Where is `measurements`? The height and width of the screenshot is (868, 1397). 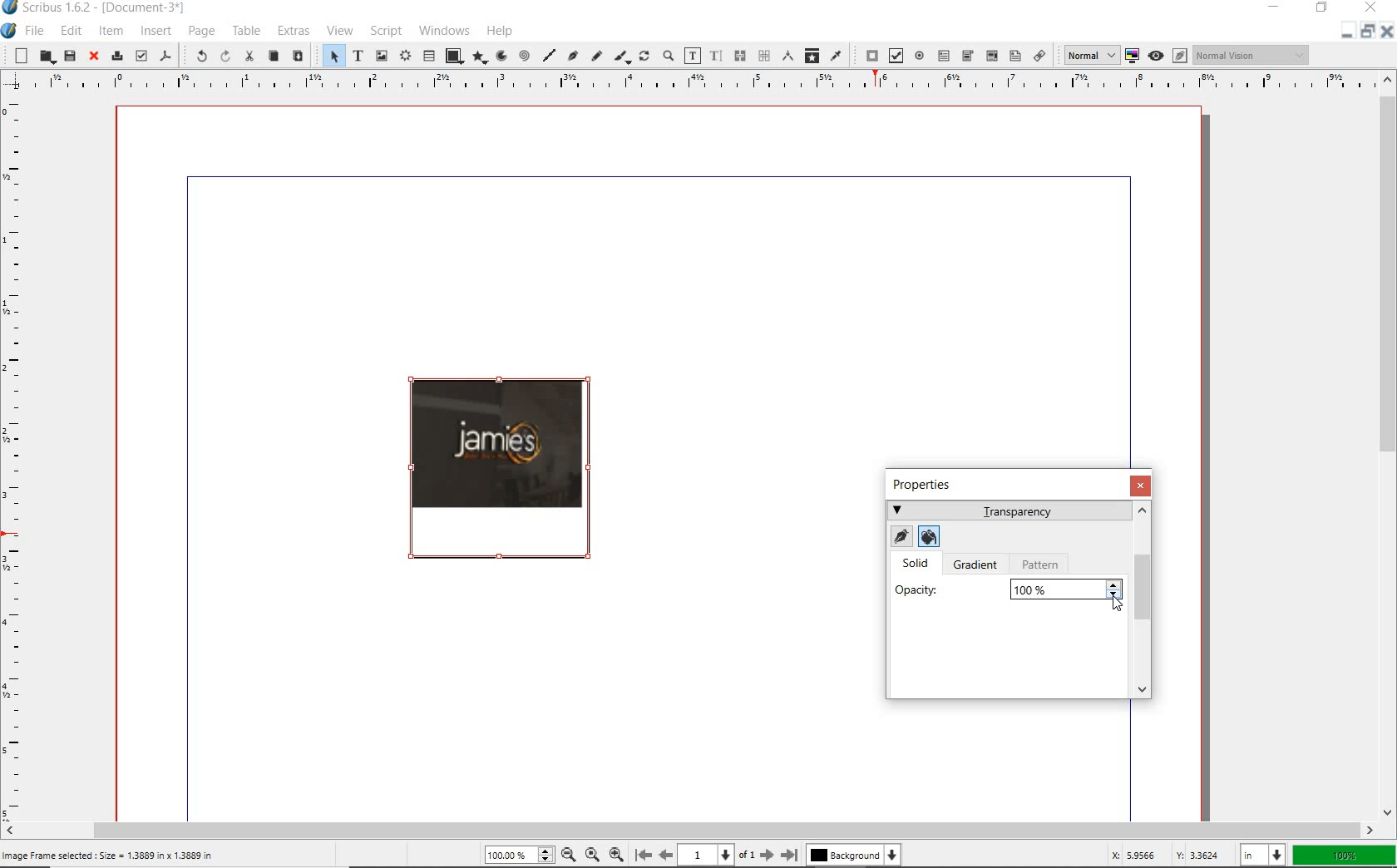
measurements is located at coordinates (785, 56).